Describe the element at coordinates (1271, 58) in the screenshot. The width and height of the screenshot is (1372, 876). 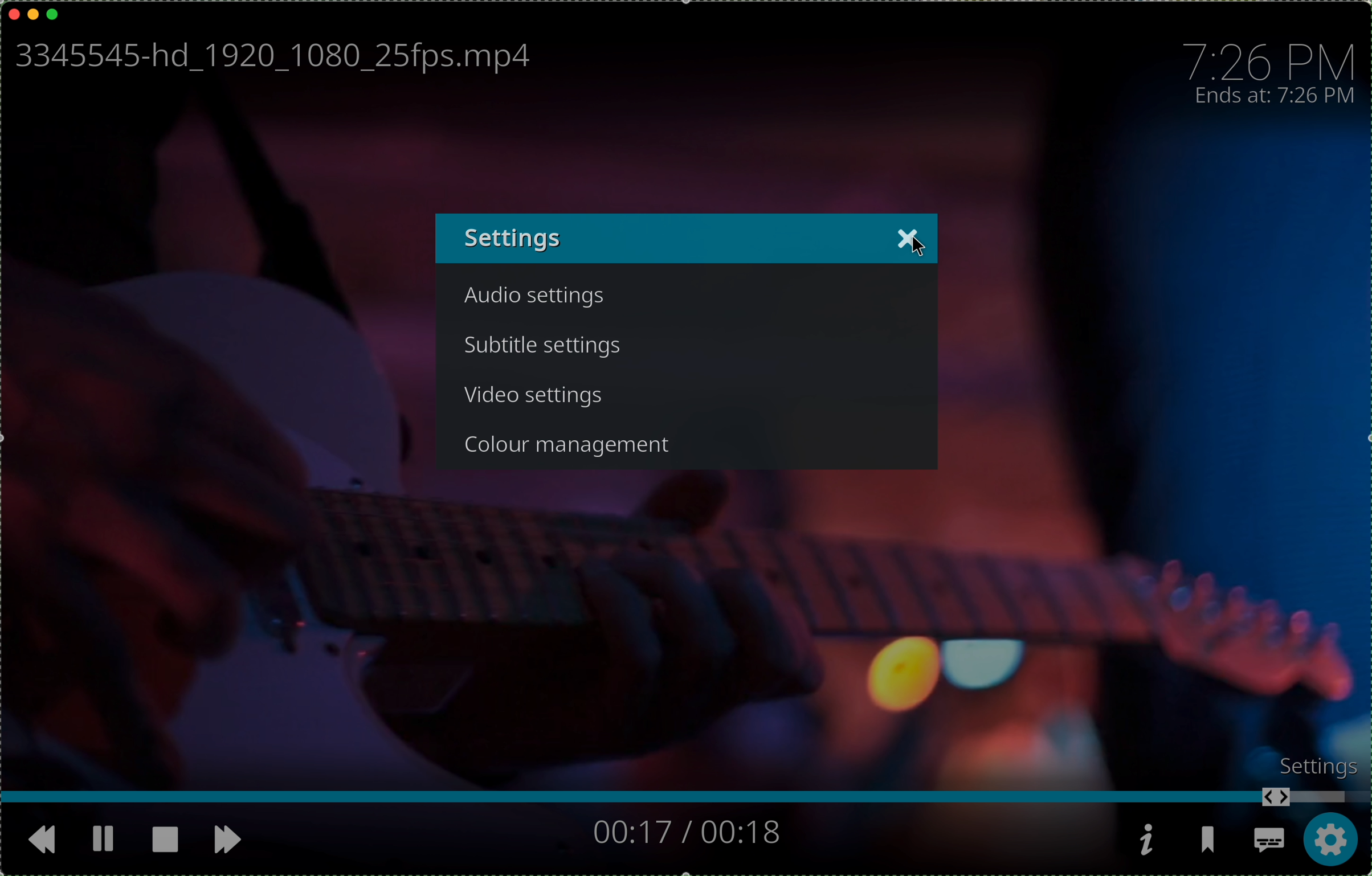
I see `time` at that location.